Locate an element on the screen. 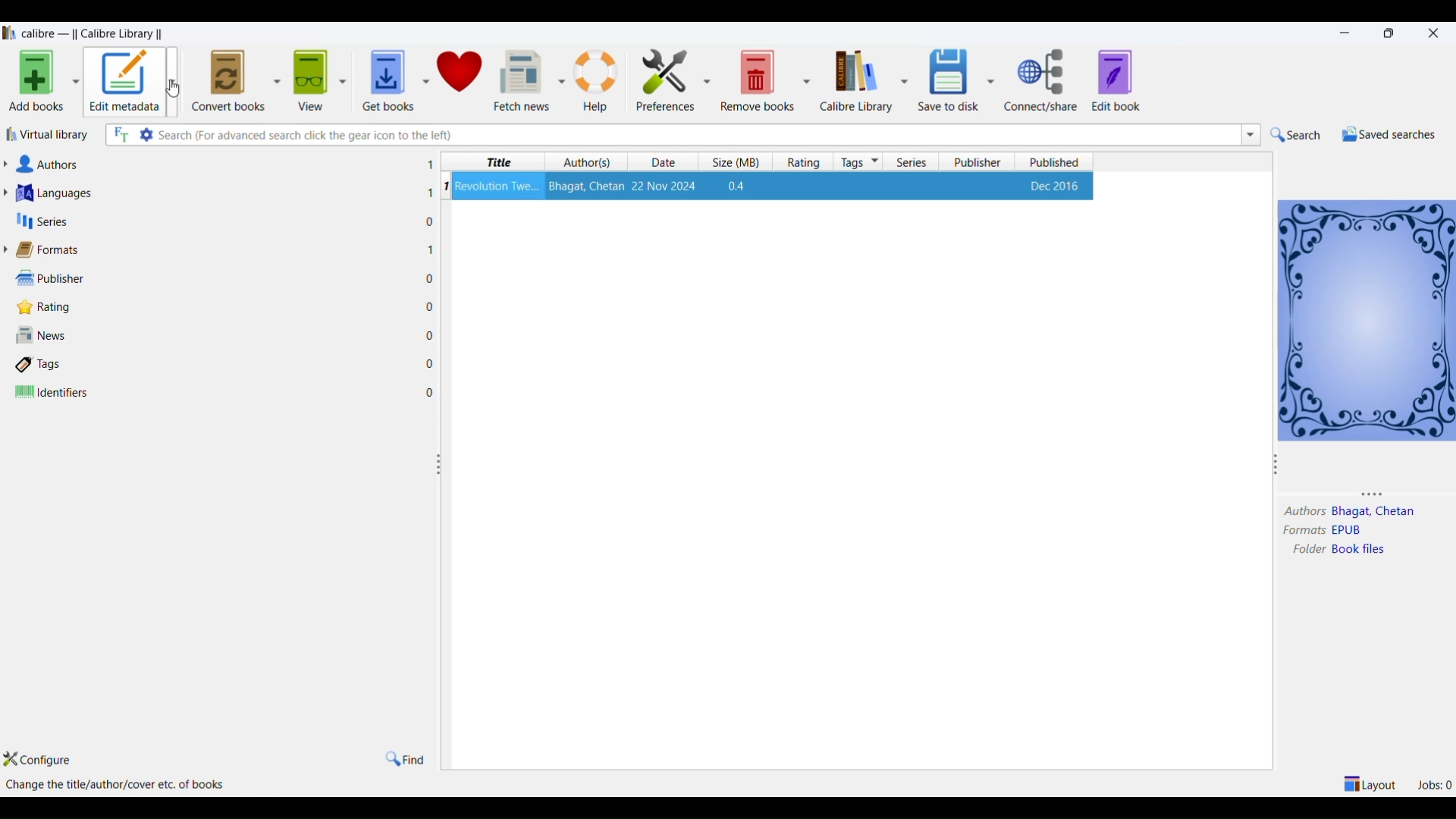  series and number of series is located at coordinates (42, 221).